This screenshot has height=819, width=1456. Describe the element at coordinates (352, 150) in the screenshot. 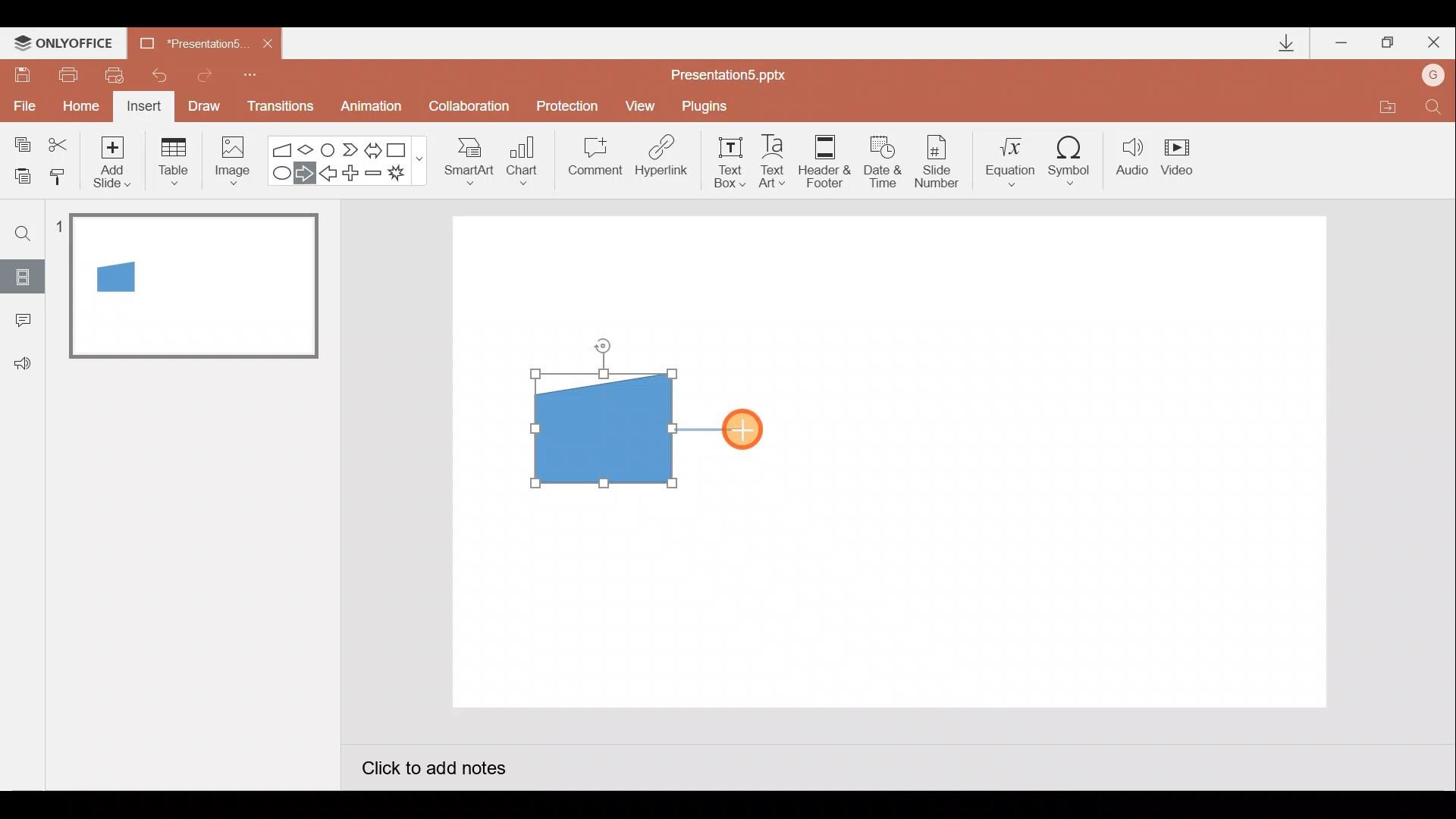

I see `Chevron` at that location.